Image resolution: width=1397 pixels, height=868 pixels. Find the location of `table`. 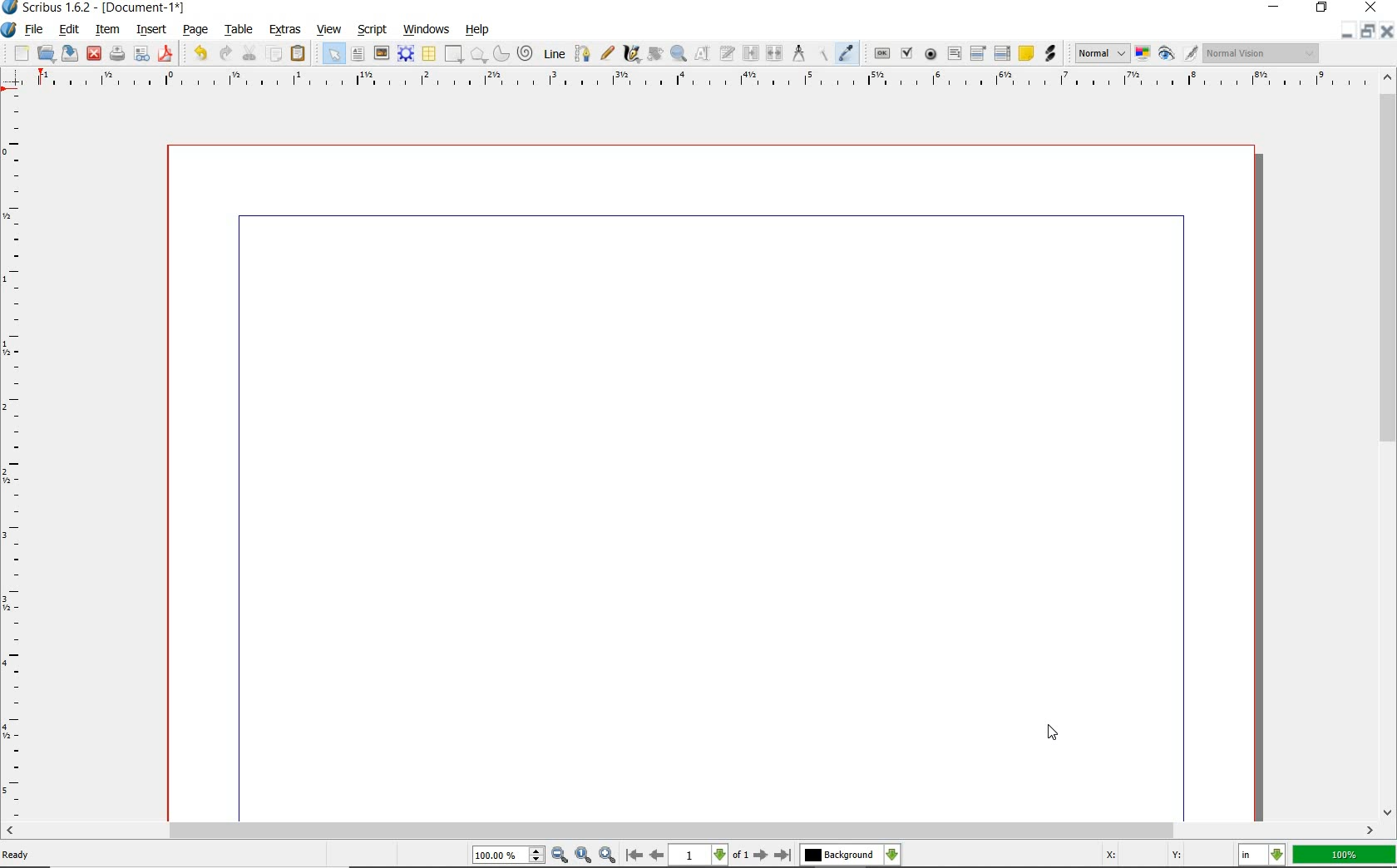

table is located at coordinates (241, 28).